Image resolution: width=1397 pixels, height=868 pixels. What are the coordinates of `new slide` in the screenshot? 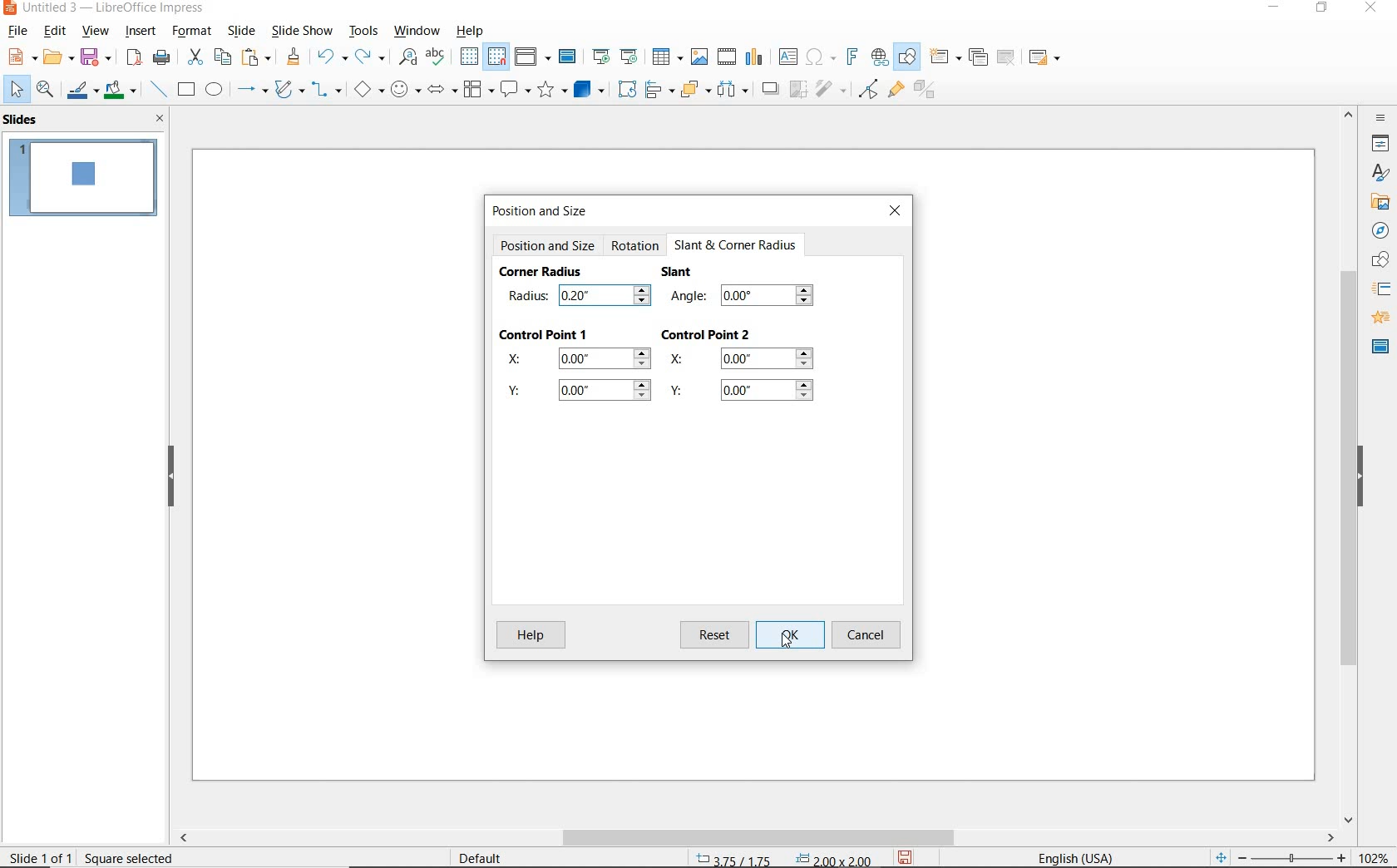 It's located at (945, 60).